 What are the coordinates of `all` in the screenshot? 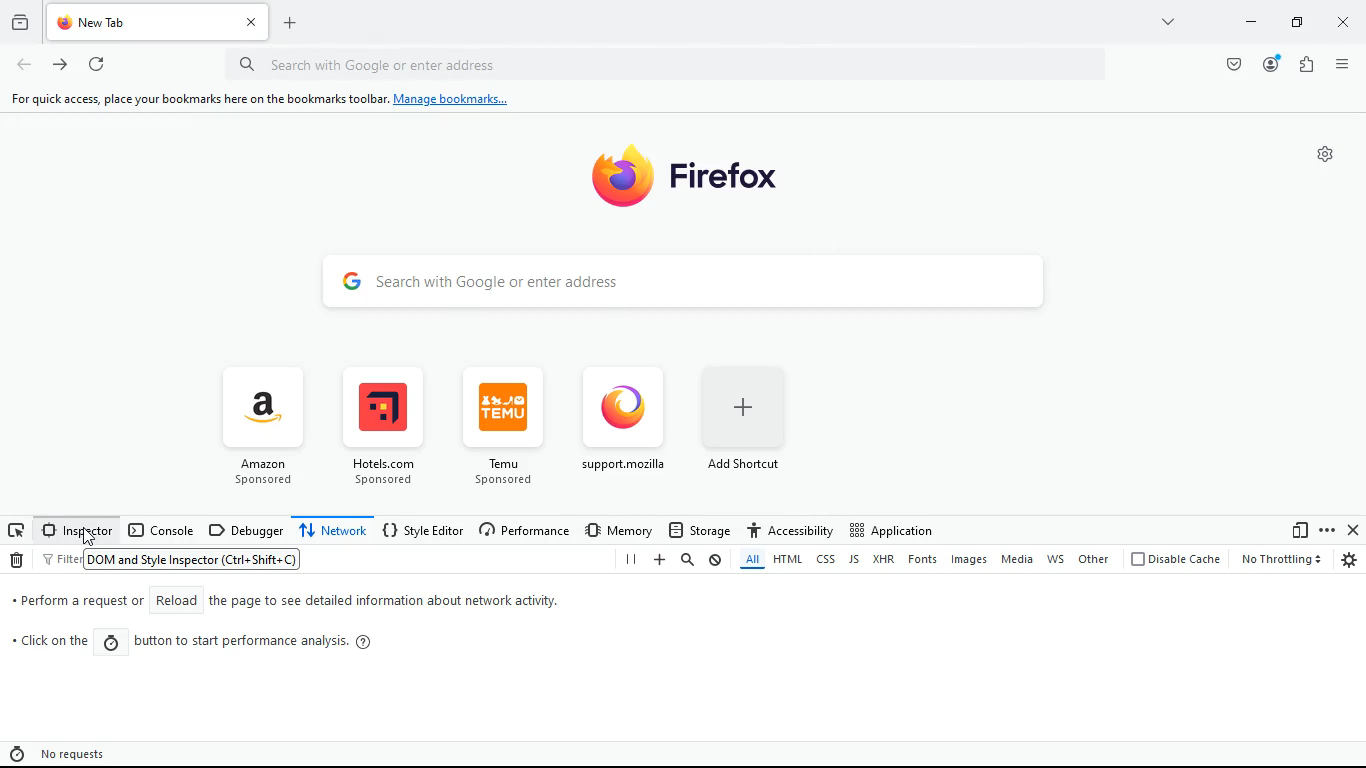 It's located at (748, 562).